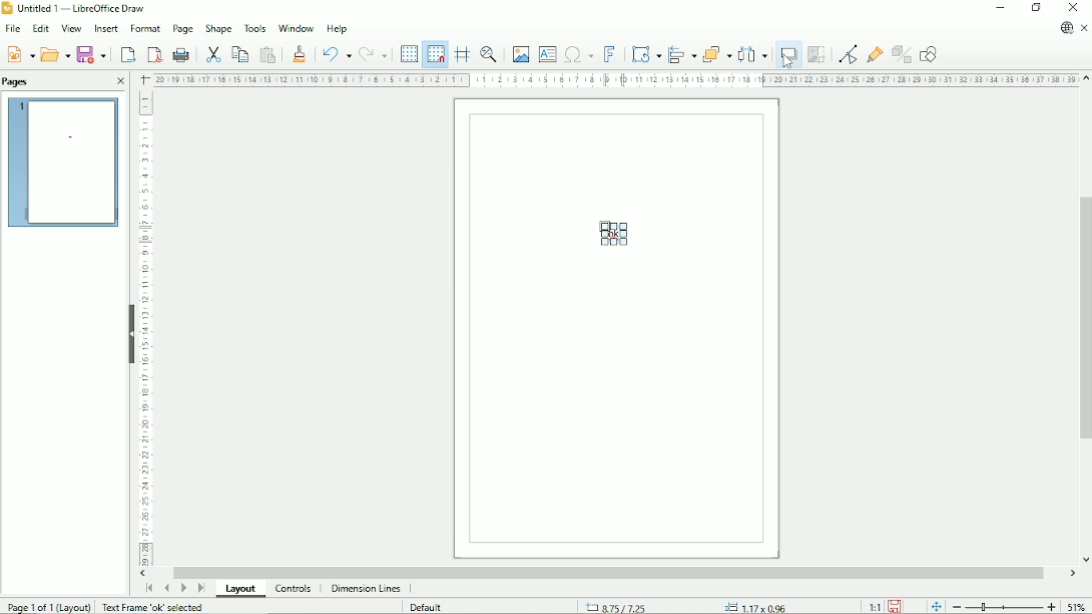 The width and height of the screenshot is (1092, 614). What do you see at coordinates (241, 54) in the screenshot?
I see `Copy` at bounding box center [241, 54].